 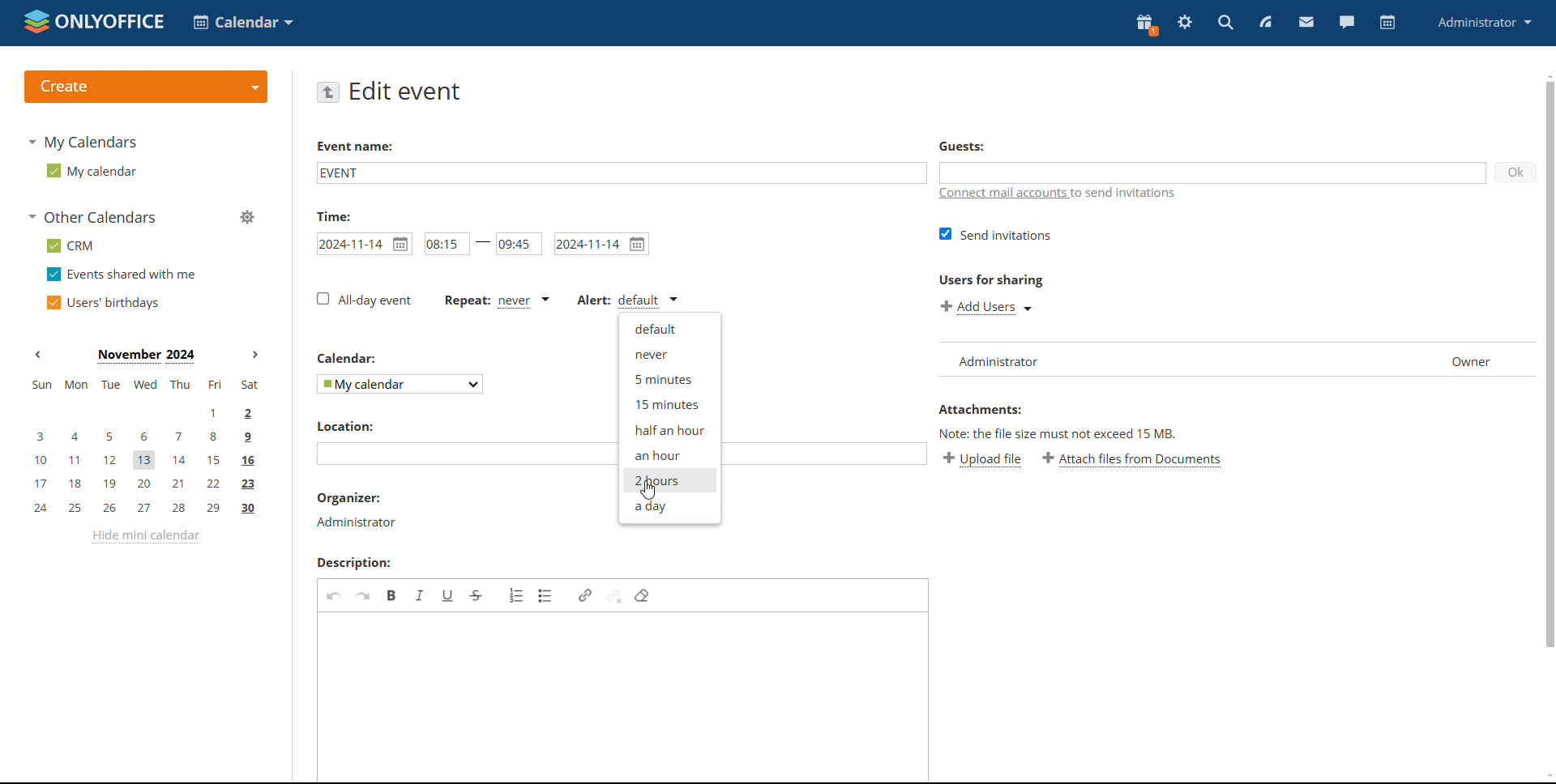 What do you see at coordinates (1546, 777) in the screenshot?
I see `scroll down` at bounding box center [1546, 777].